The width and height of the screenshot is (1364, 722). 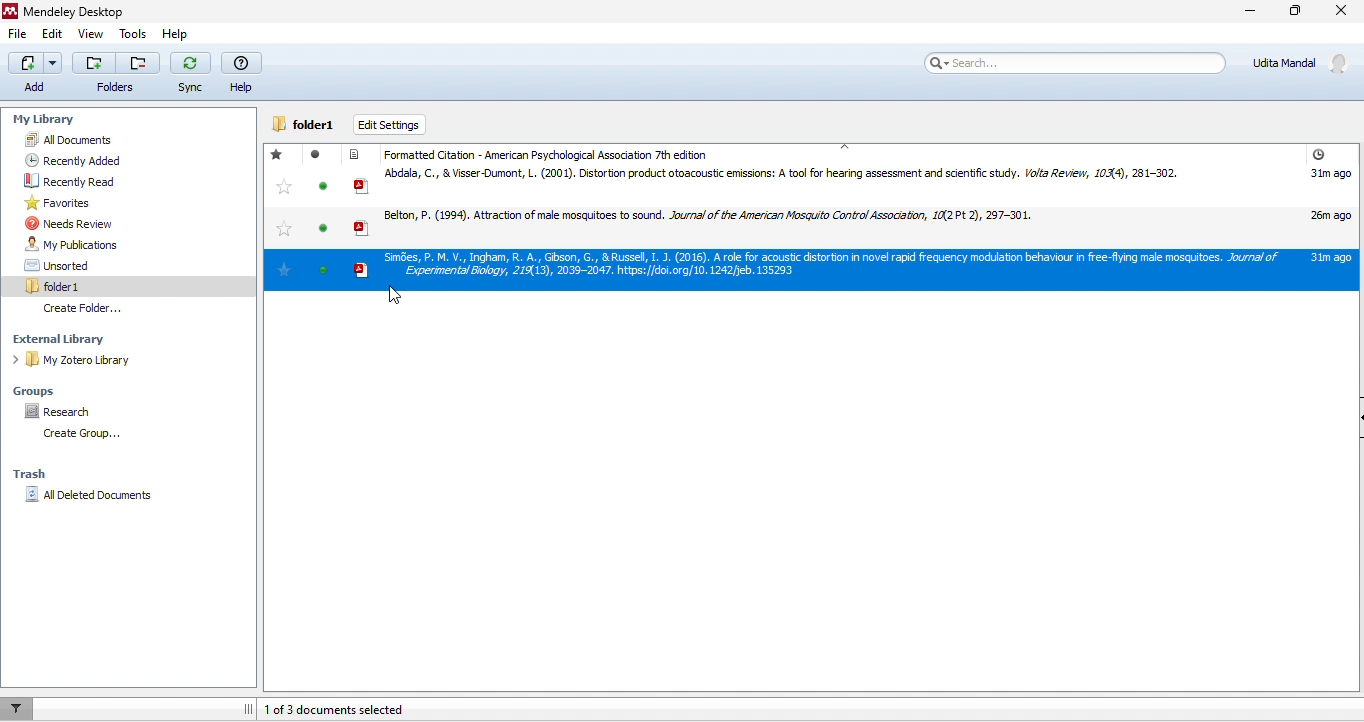 What do you see at coordinates (97, 360) in the screenshot?
I see `my zotero library` at bounding box center [97, 360].